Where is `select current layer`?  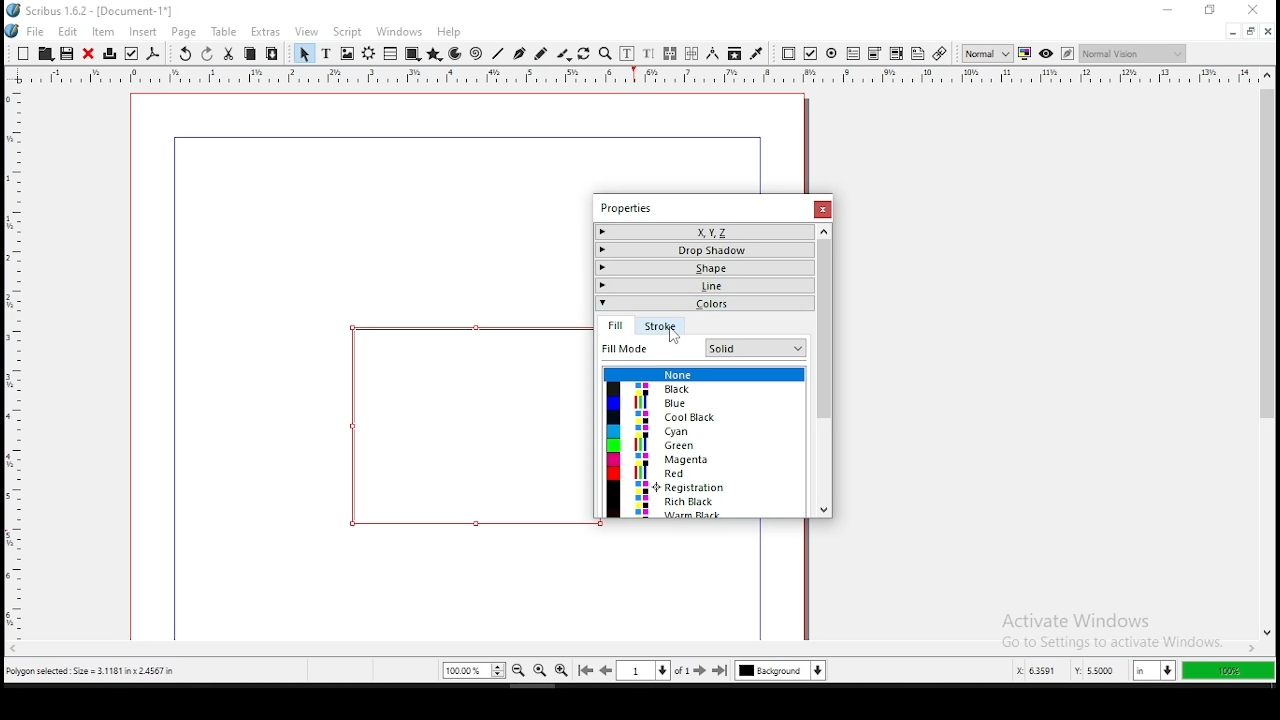 select current layer is located at coordinates (780, 670).